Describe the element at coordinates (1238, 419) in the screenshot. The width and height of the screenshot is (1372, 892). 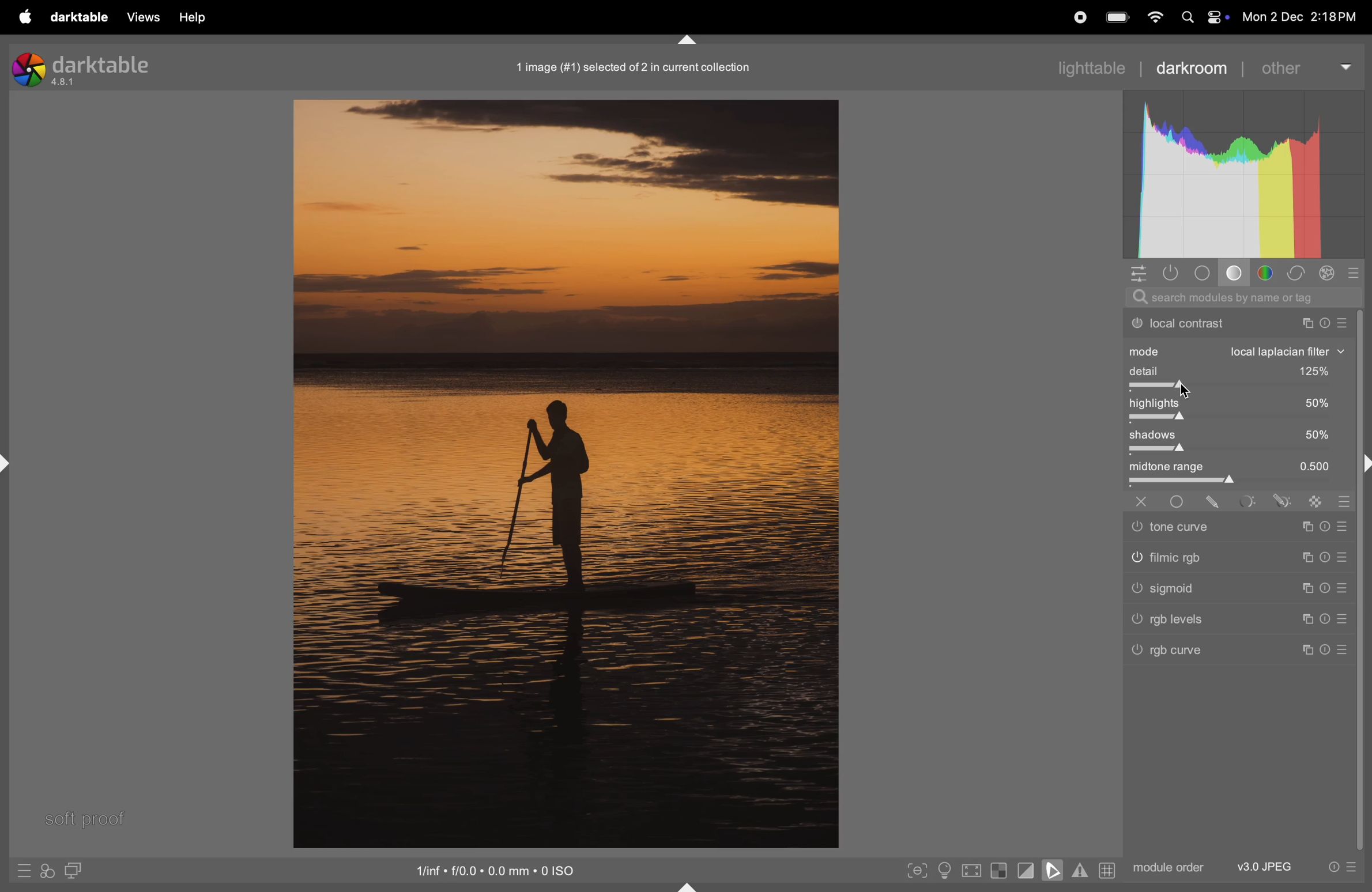
I see `togglebar` at that location.